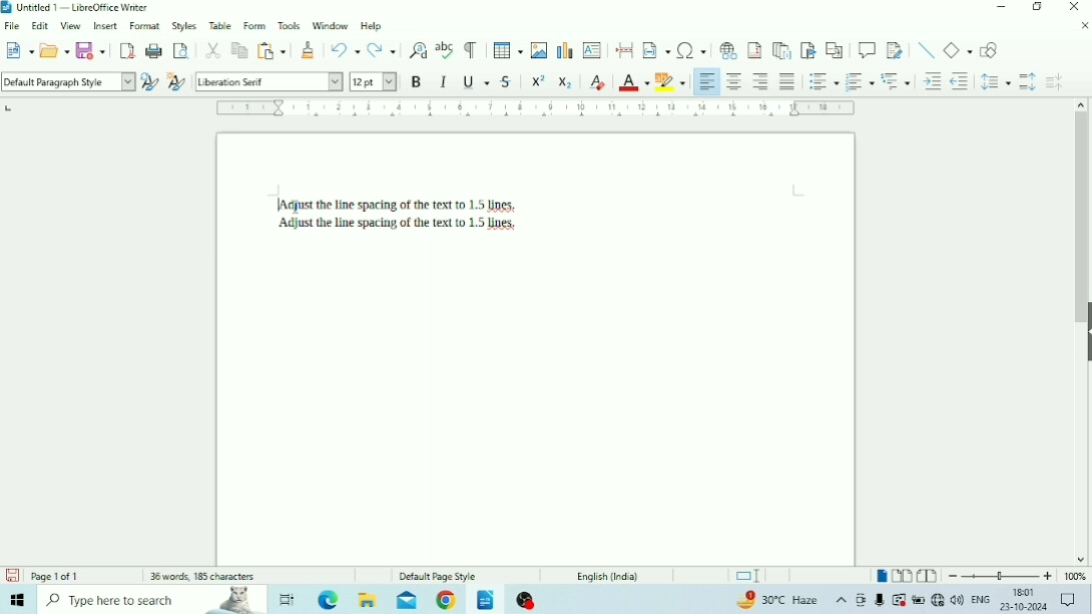  I want to click on Justified, so click(787, 82).